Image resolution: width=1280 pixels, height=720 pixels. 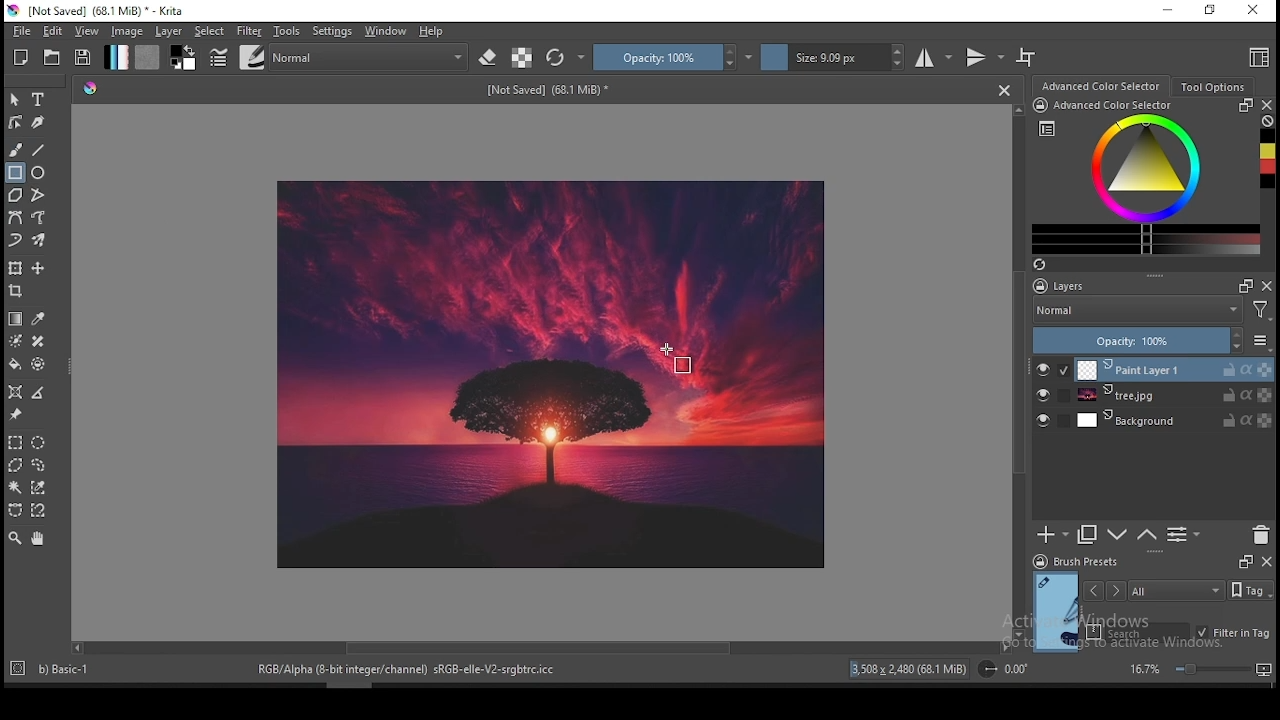 What do you see at coordinates (522, 58) in the screenshot?
I see `preserve alpha` at bounding box center [522, 58].